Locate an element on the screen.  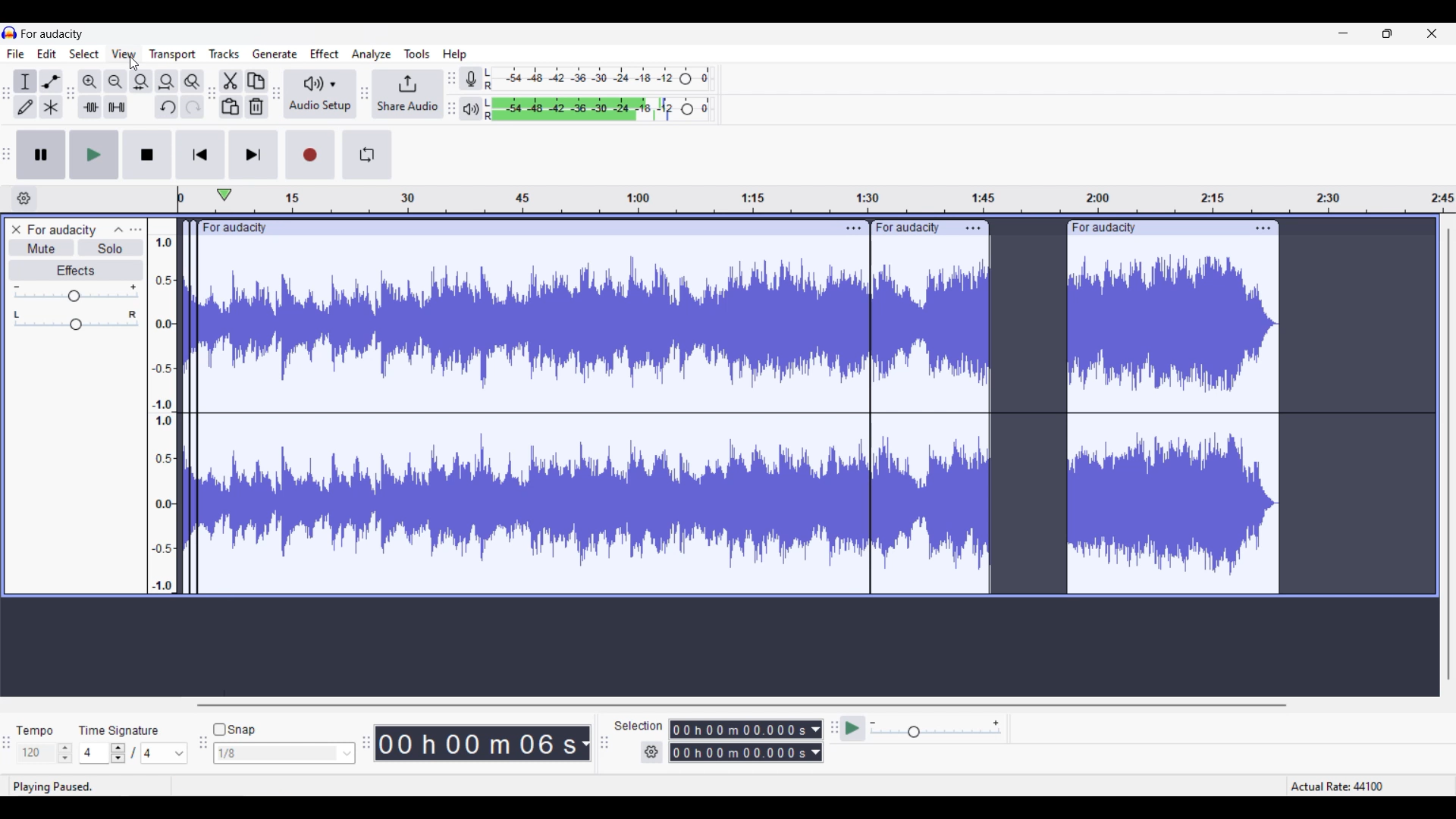
Playback level is located at coordinates (598, 109).